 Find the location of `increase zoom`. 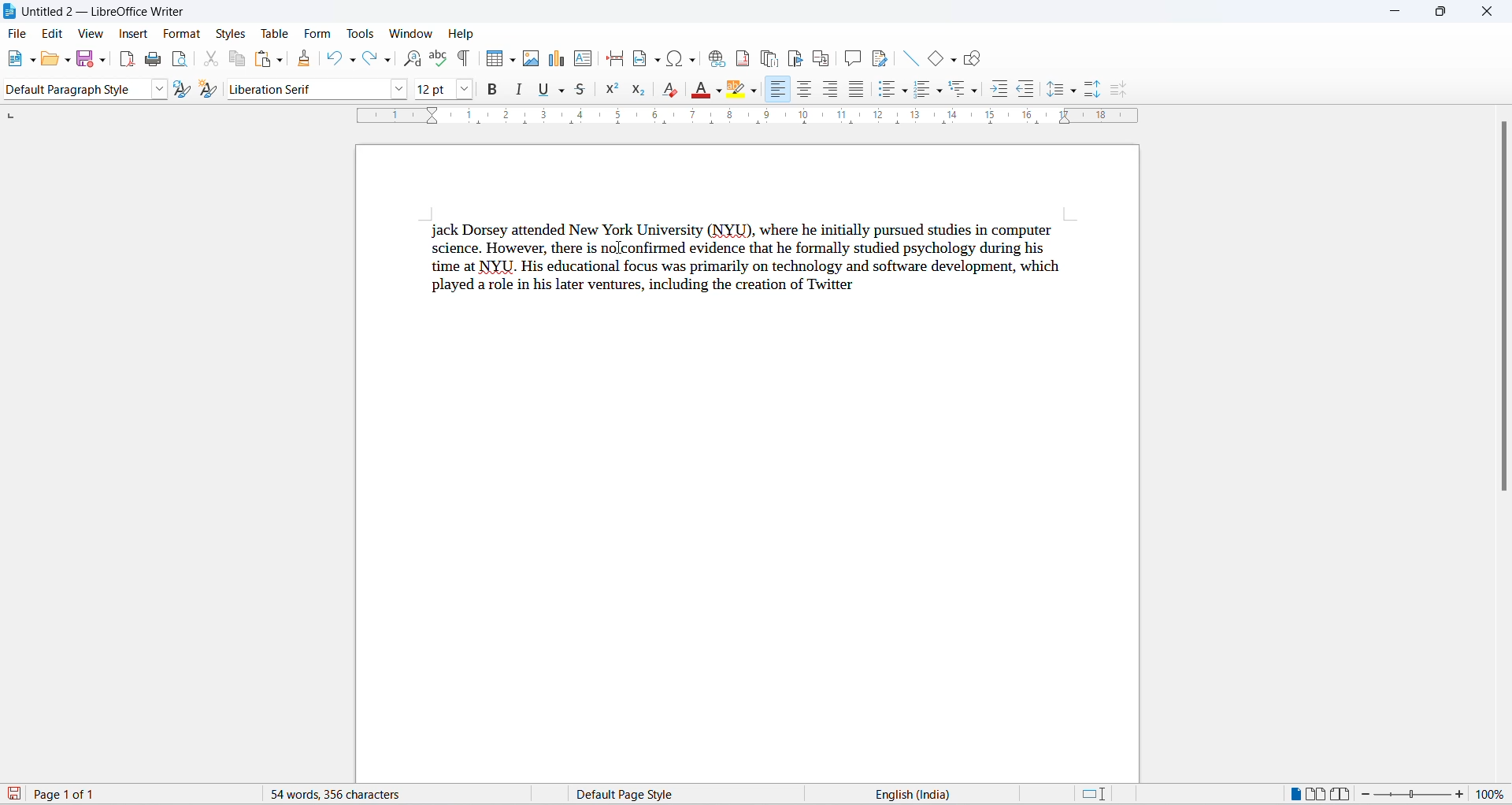

increase zoom is located at coordinates (1463, 797).